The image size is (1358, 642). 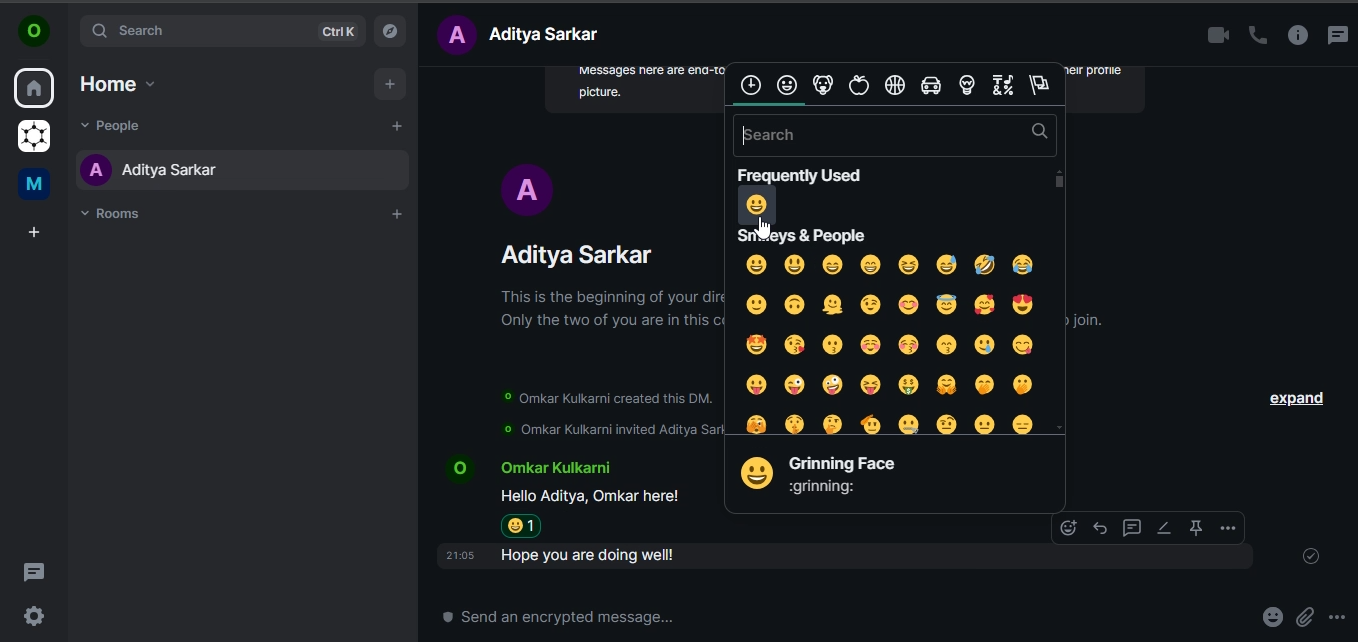 What do you see at coordinates (1024, 423) in the screenshot?
I see `expressionless face` at bounding box center [1024, 423].